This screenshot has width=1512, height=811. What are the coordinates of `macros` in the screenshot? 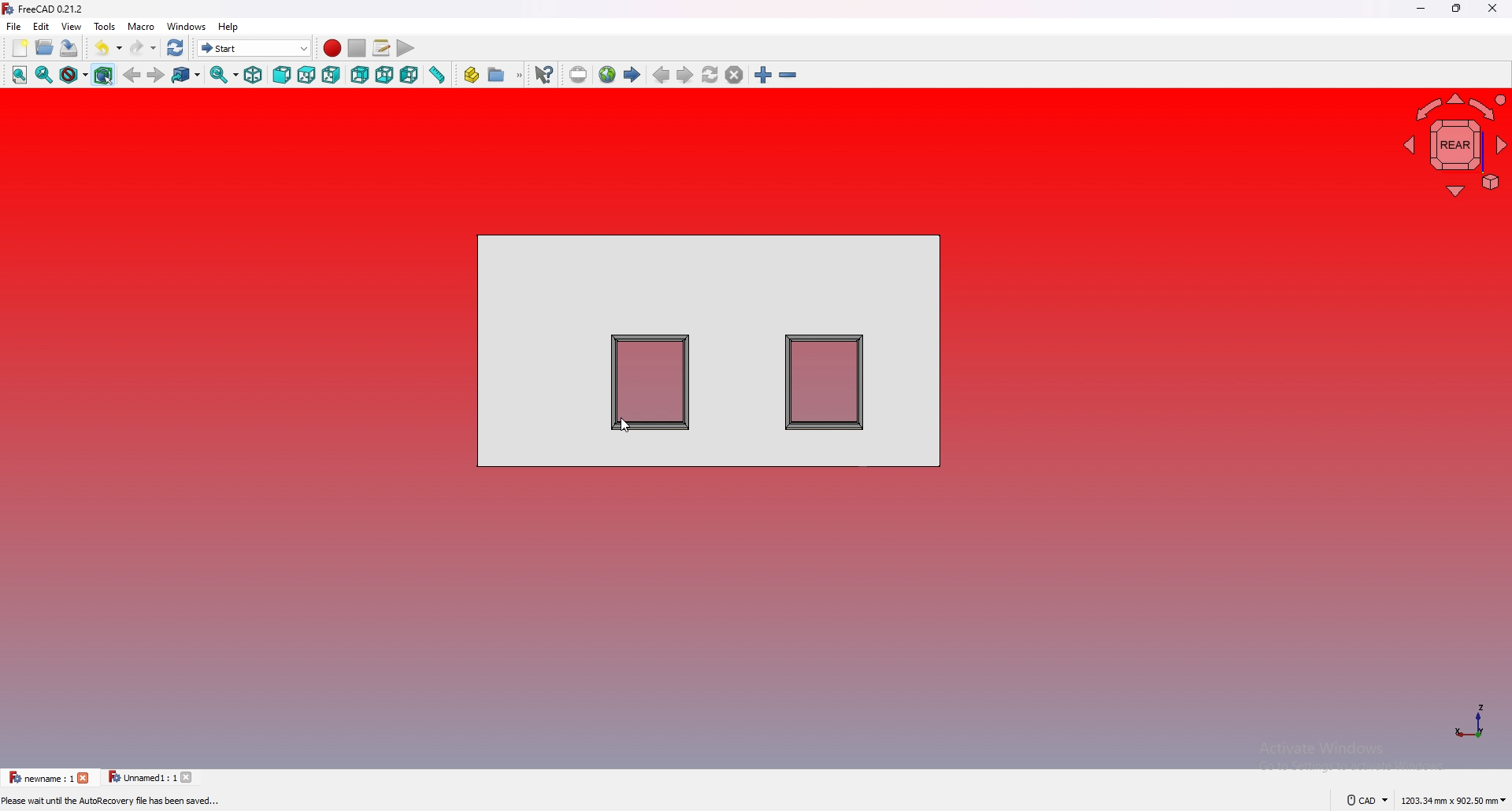 It's located at (381, 47).